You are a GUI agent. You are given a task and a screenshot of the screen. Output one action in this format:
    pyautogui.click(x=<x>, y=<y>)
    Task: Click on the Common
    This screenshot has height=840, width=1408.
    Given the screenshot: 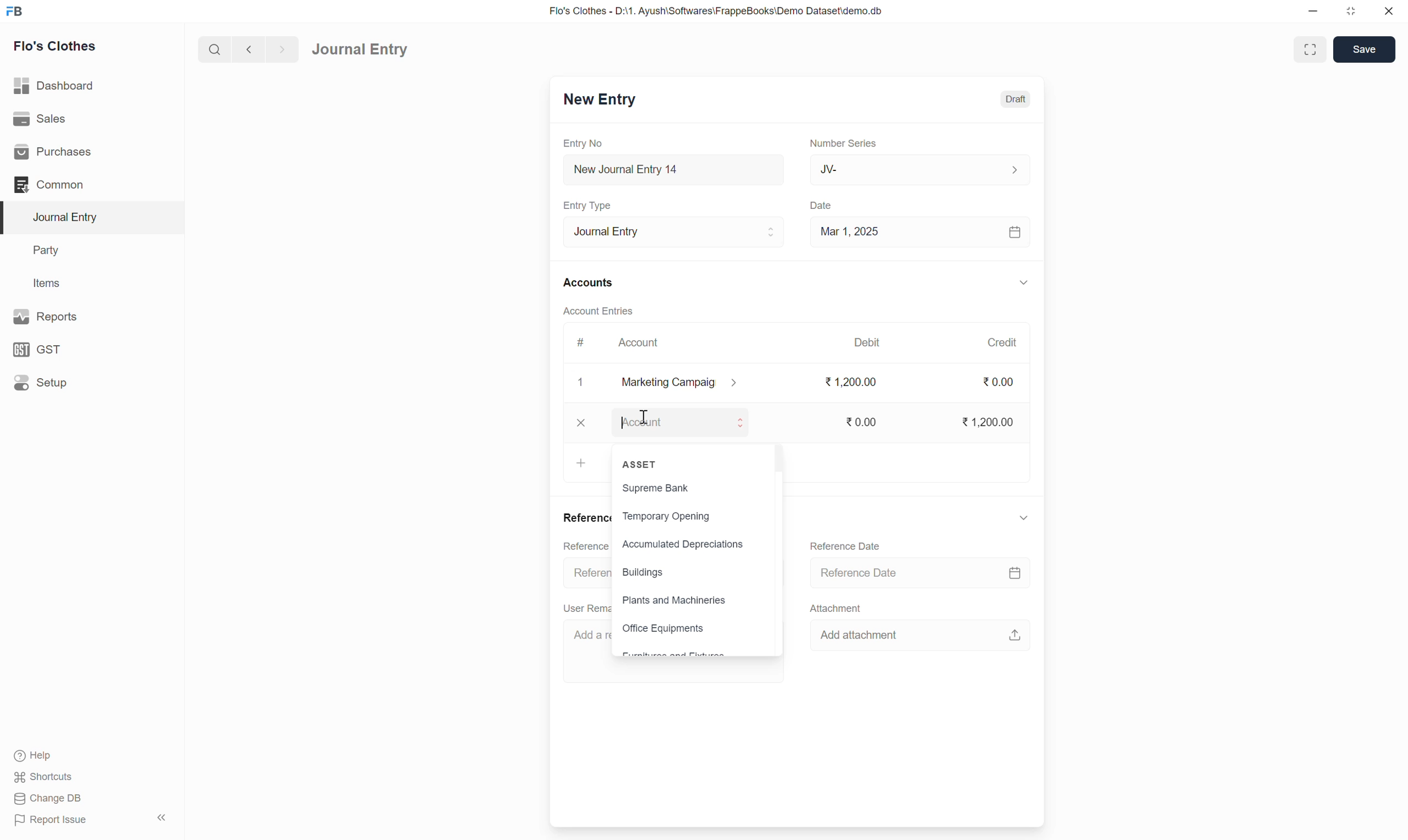 What is the action you would take?
    pyautogui.click(x=50, y=185)
    